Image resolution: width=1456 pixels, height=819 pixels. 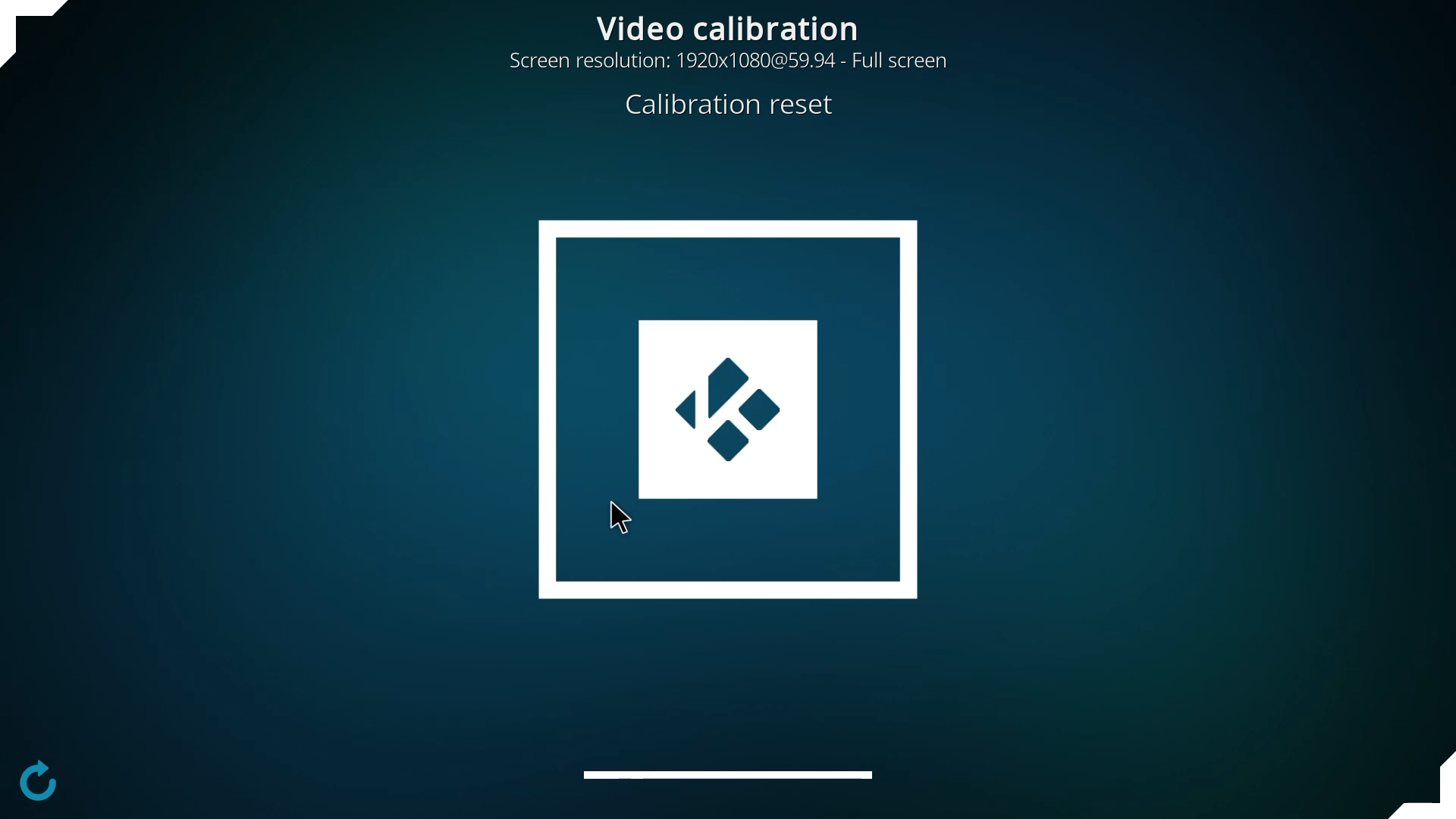 I want to click on video calibration, so click(x=733, y=23).